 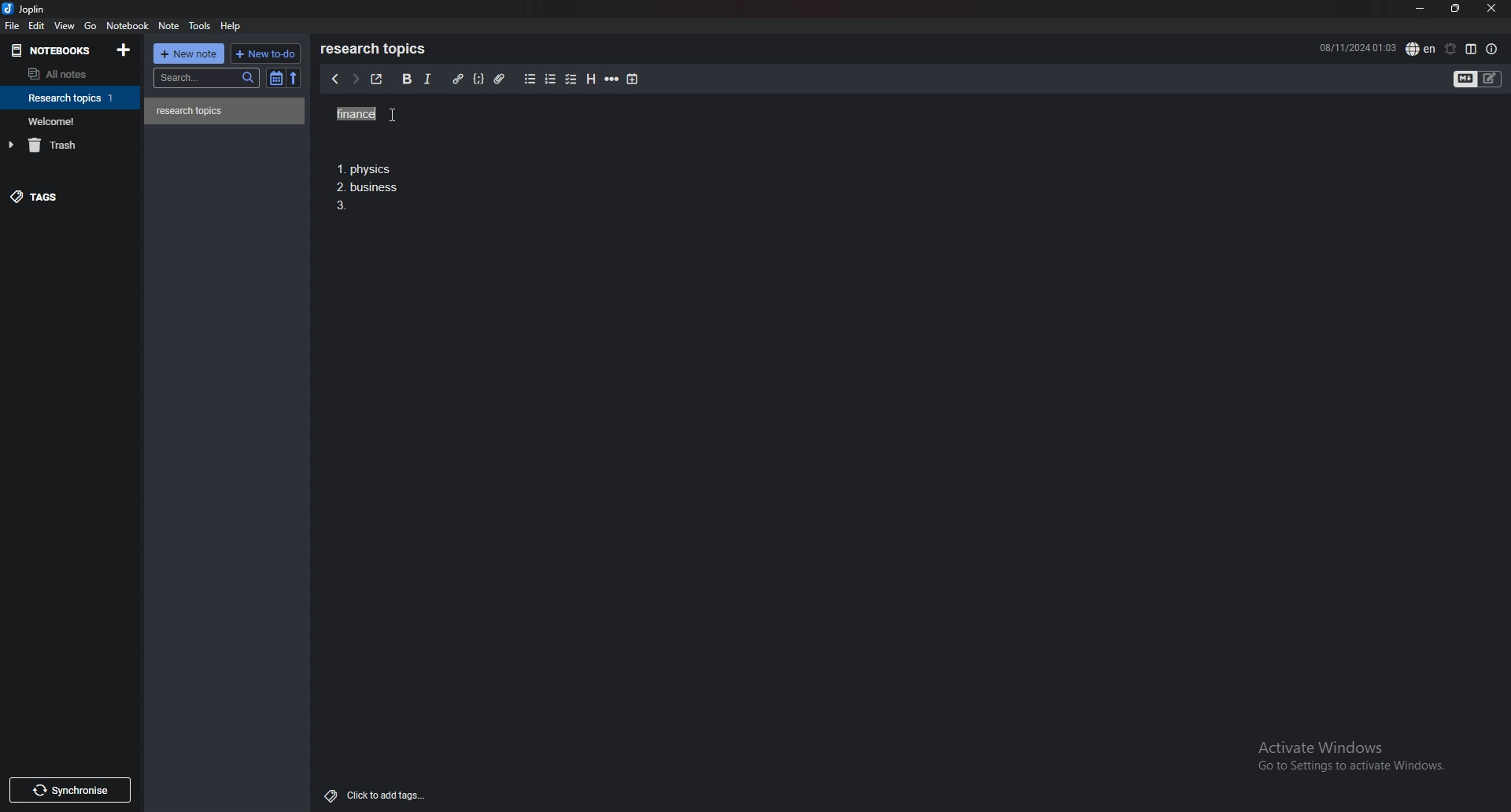 I want to click on edit, so click(x=36, y=25).